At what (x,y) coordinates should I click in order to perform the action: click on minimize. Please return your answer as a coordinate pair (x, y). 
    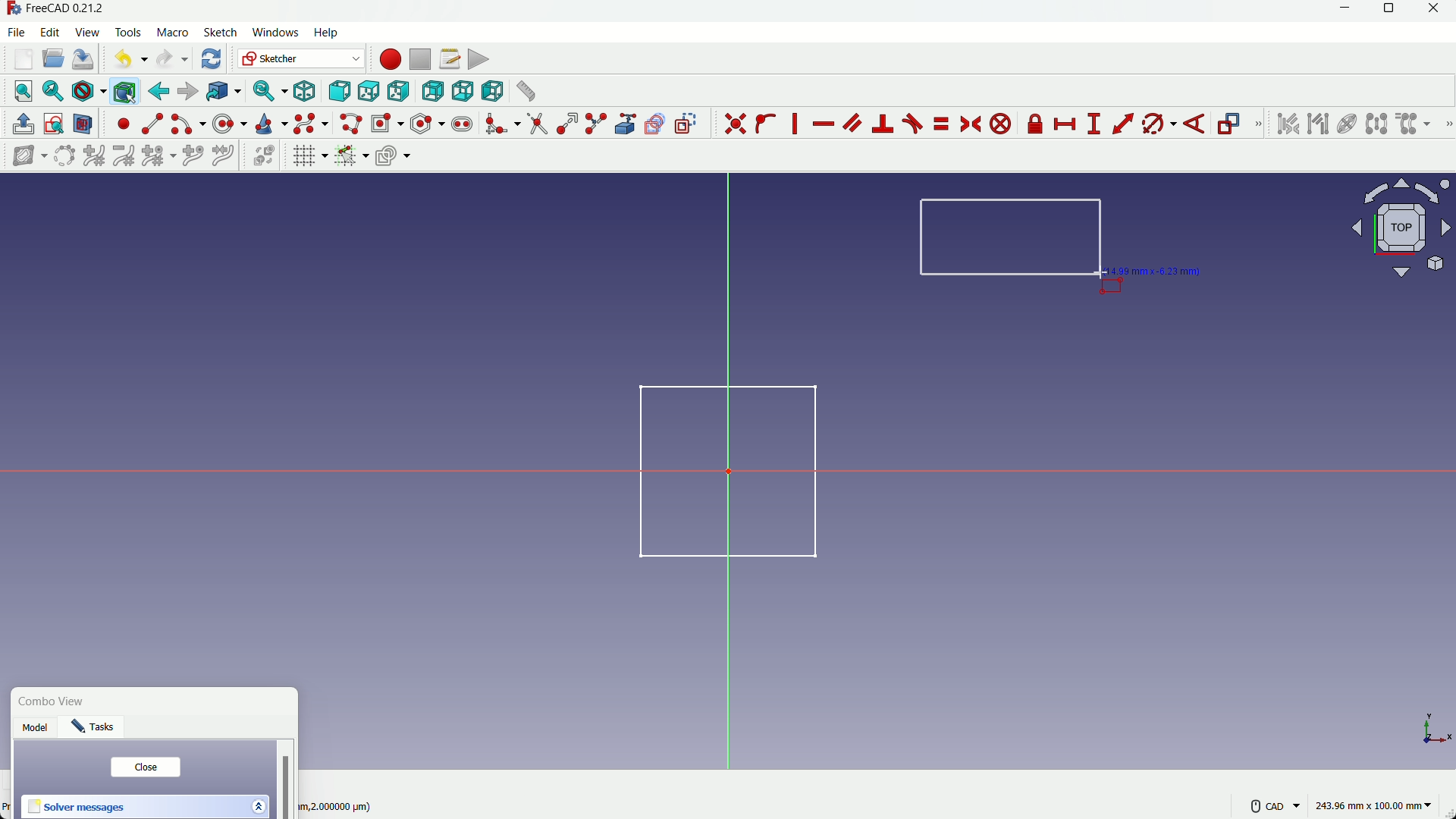
    Looking at the image, I should click on (1341, 11).